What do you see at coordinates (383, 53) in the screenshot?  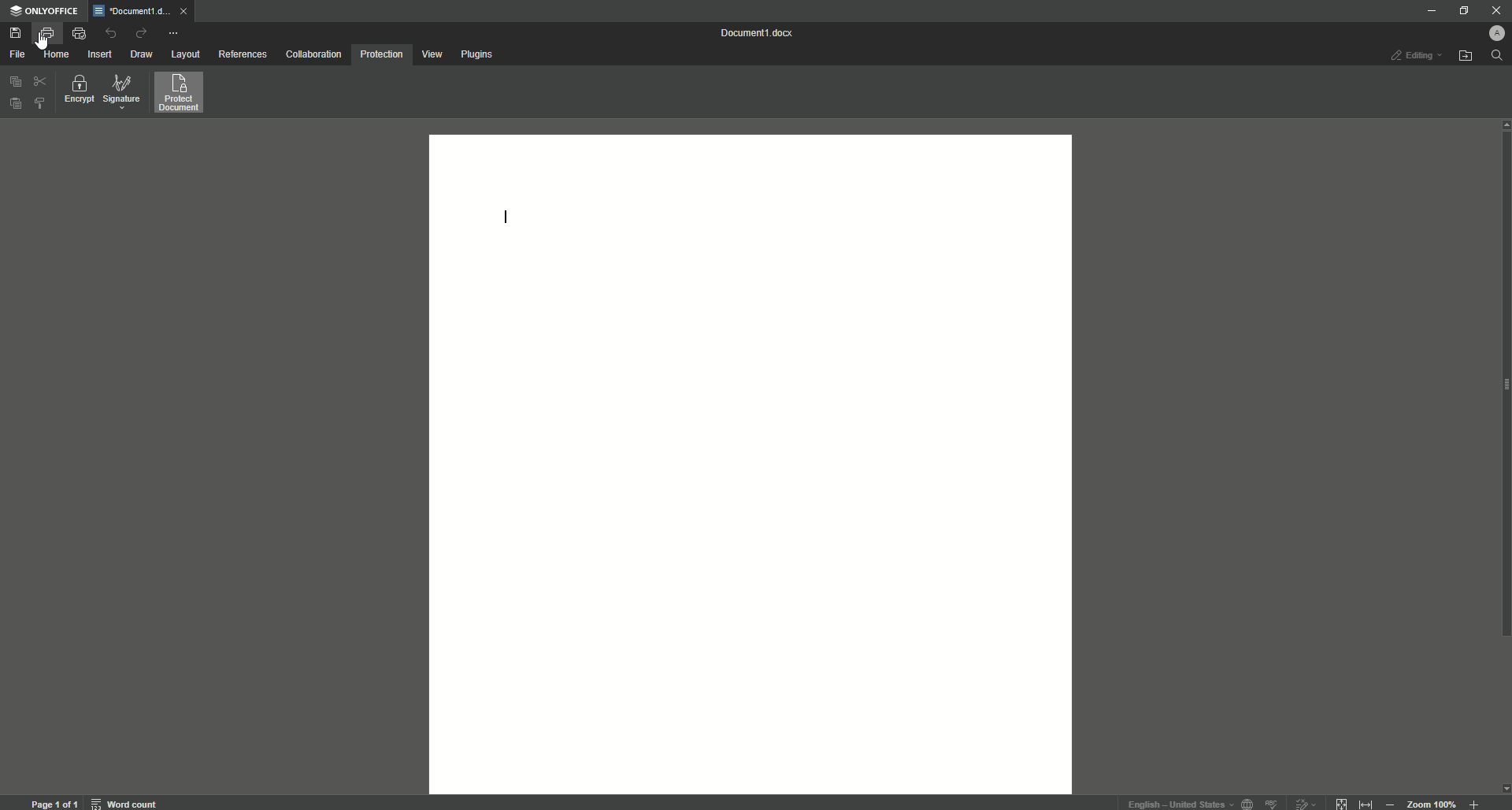 I see `Protection` at bounding box center [383, 53].